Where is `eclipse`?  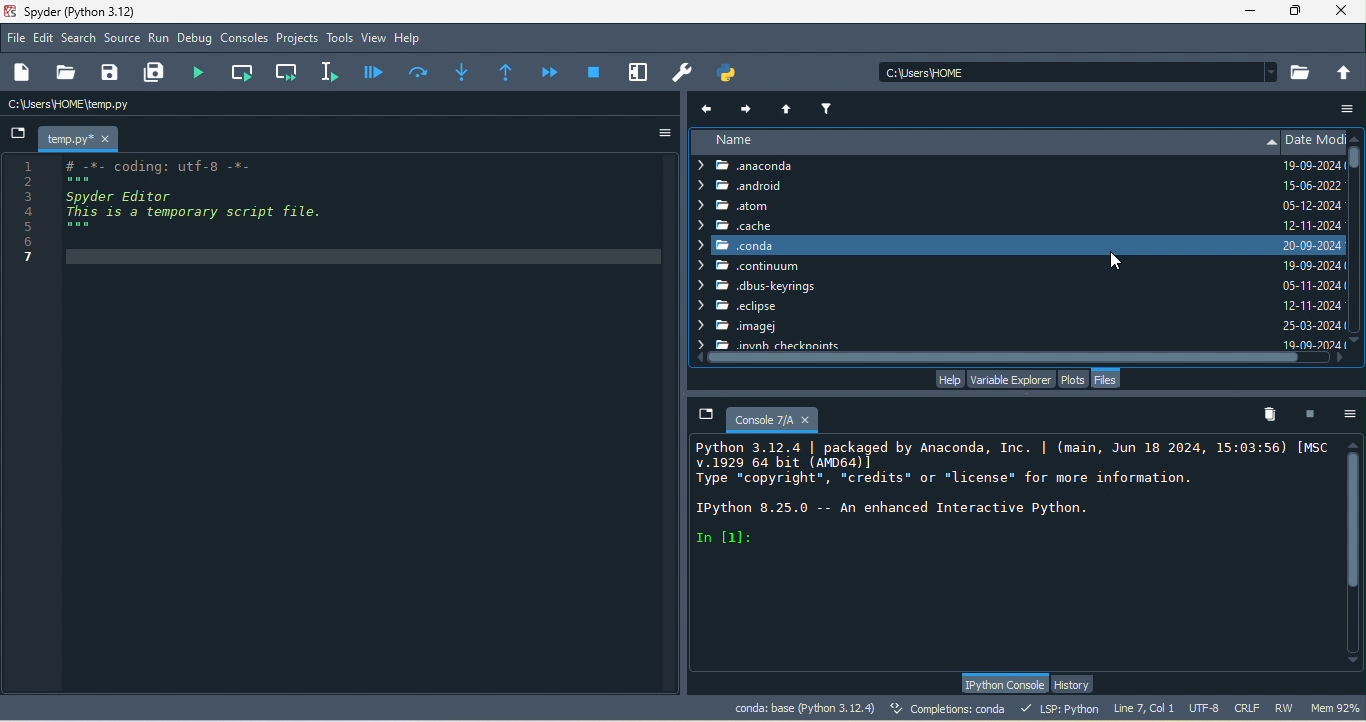
eclipse is located at coordinates (737, 307).